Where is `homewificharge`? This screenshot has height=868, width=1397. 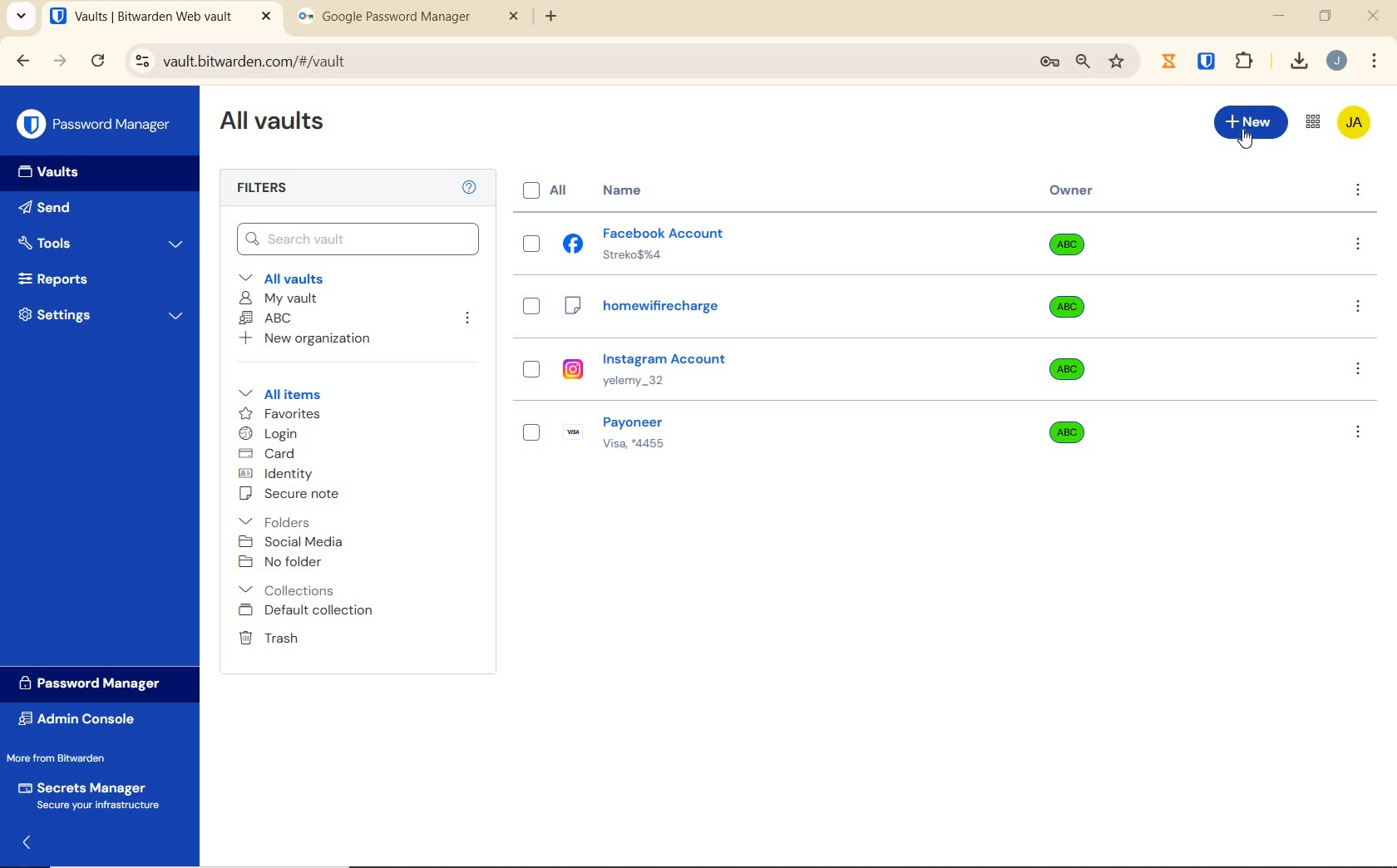
homewificharge is located at coordinates (666, 316).